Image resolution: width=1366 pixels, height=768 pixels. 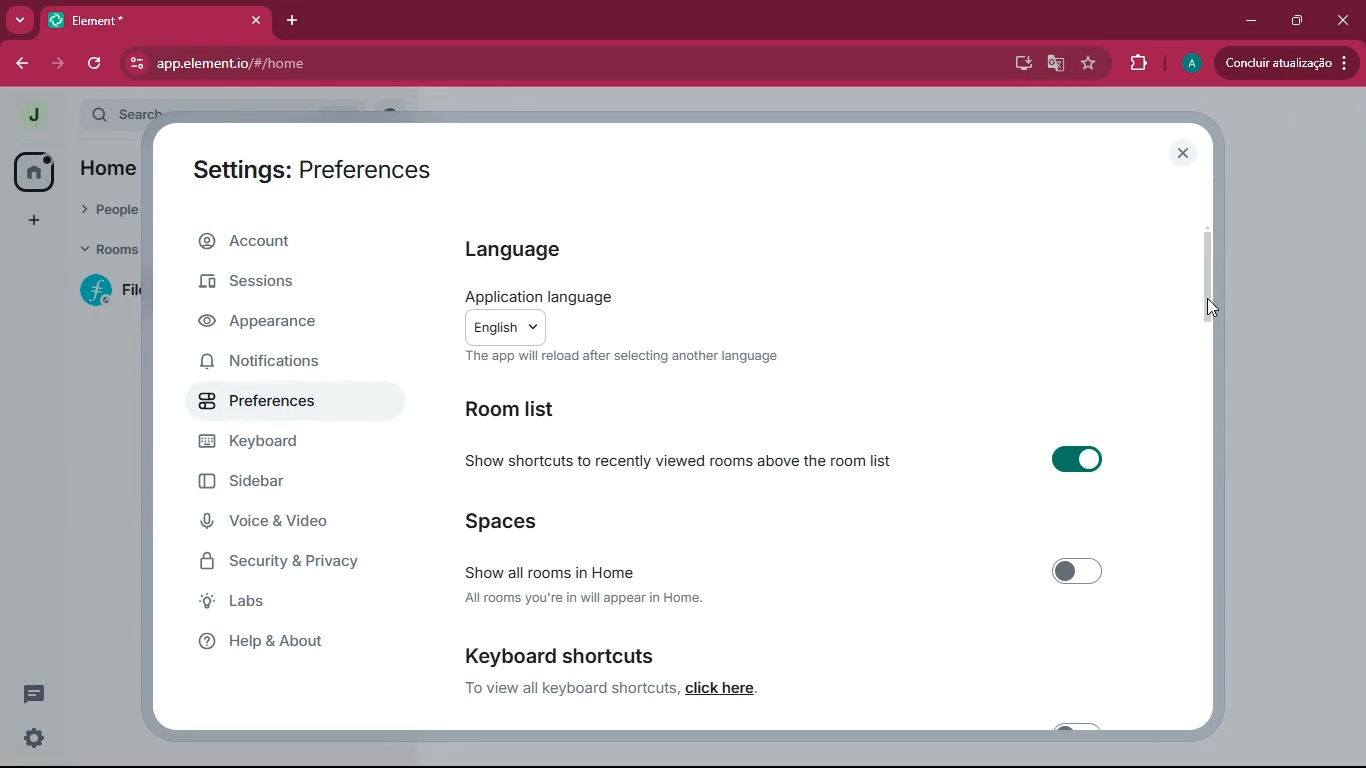 What do you see at coordinates (563, 654) in the screenshot?
I see `keyboard shortcuts` at bounding box center [563, 654].